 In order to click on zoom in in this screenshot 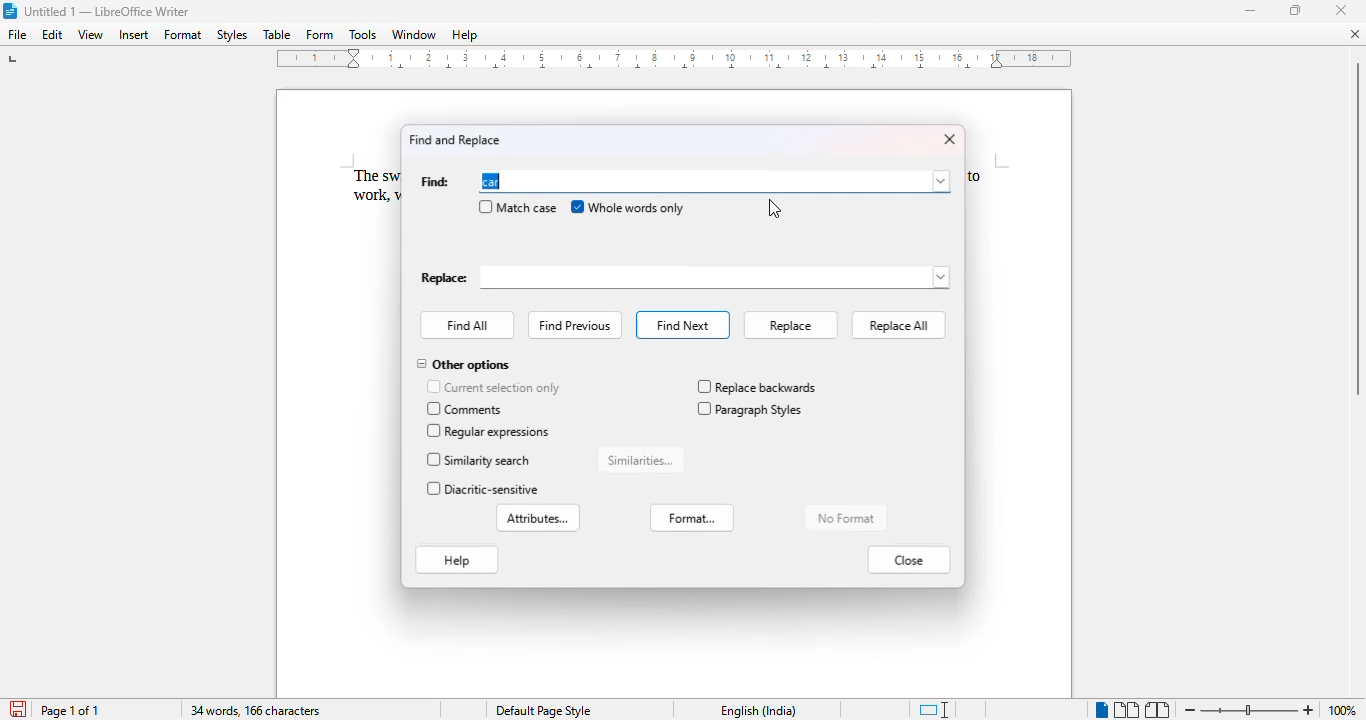, I will do `click(1309, 709)`.